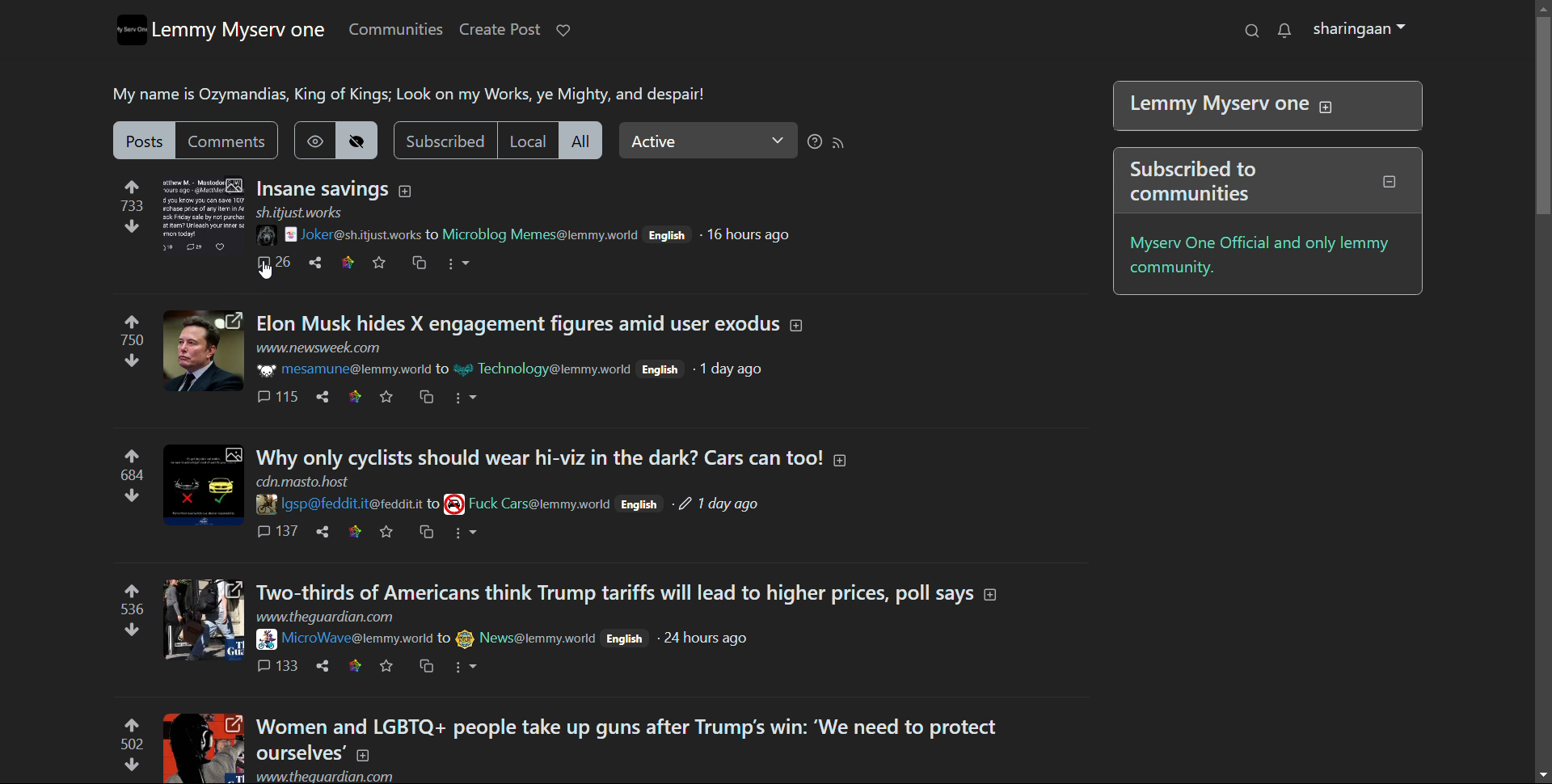 This screenshot has width=1552, height=784. What do you see at coordinates (132, 207) in the screenshot?
I see `733` at bounding box center [132, 207].